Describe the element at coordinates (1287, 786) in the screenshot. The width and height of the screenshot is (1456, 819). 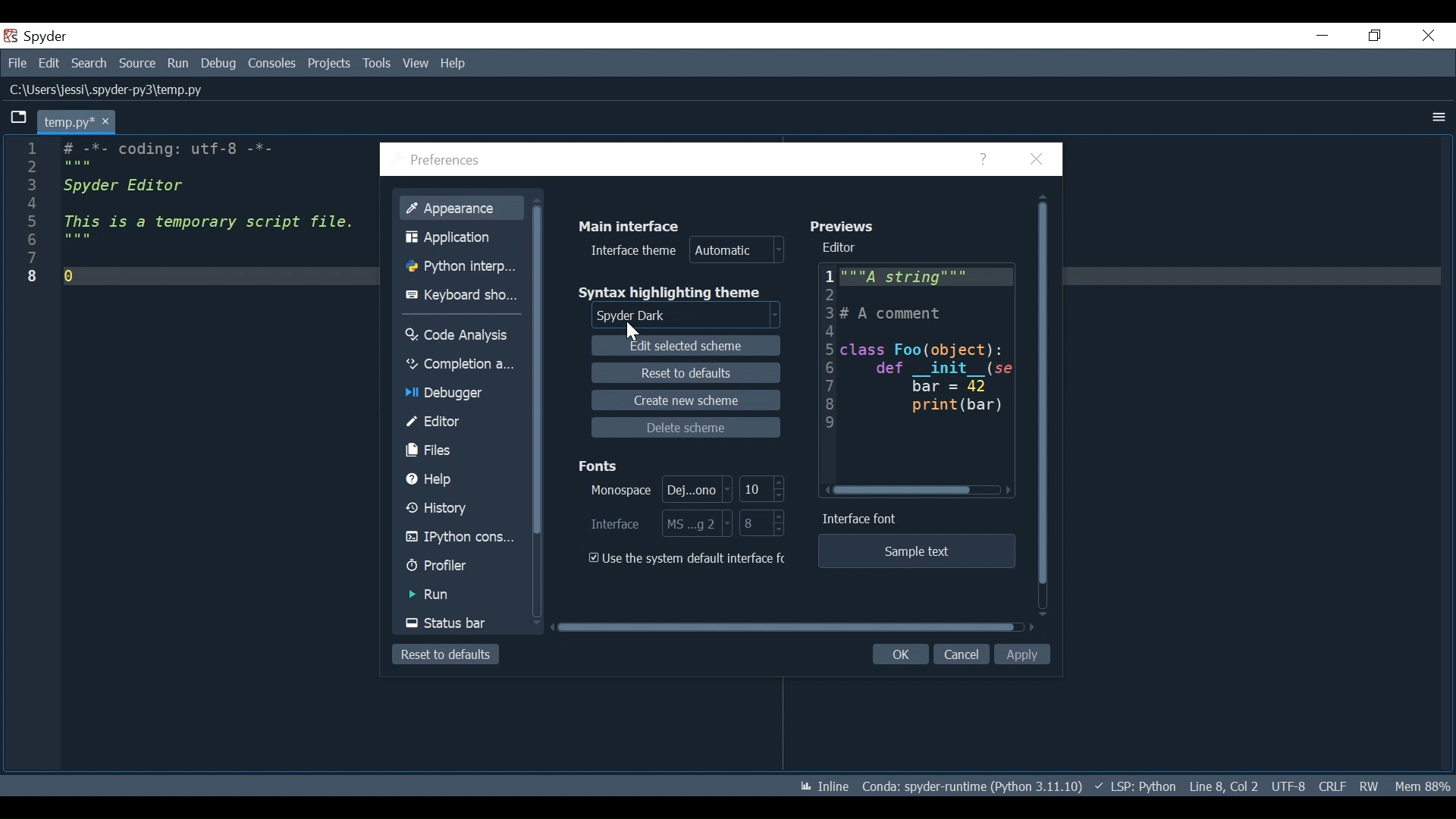
I see `File Encoding` at that location.